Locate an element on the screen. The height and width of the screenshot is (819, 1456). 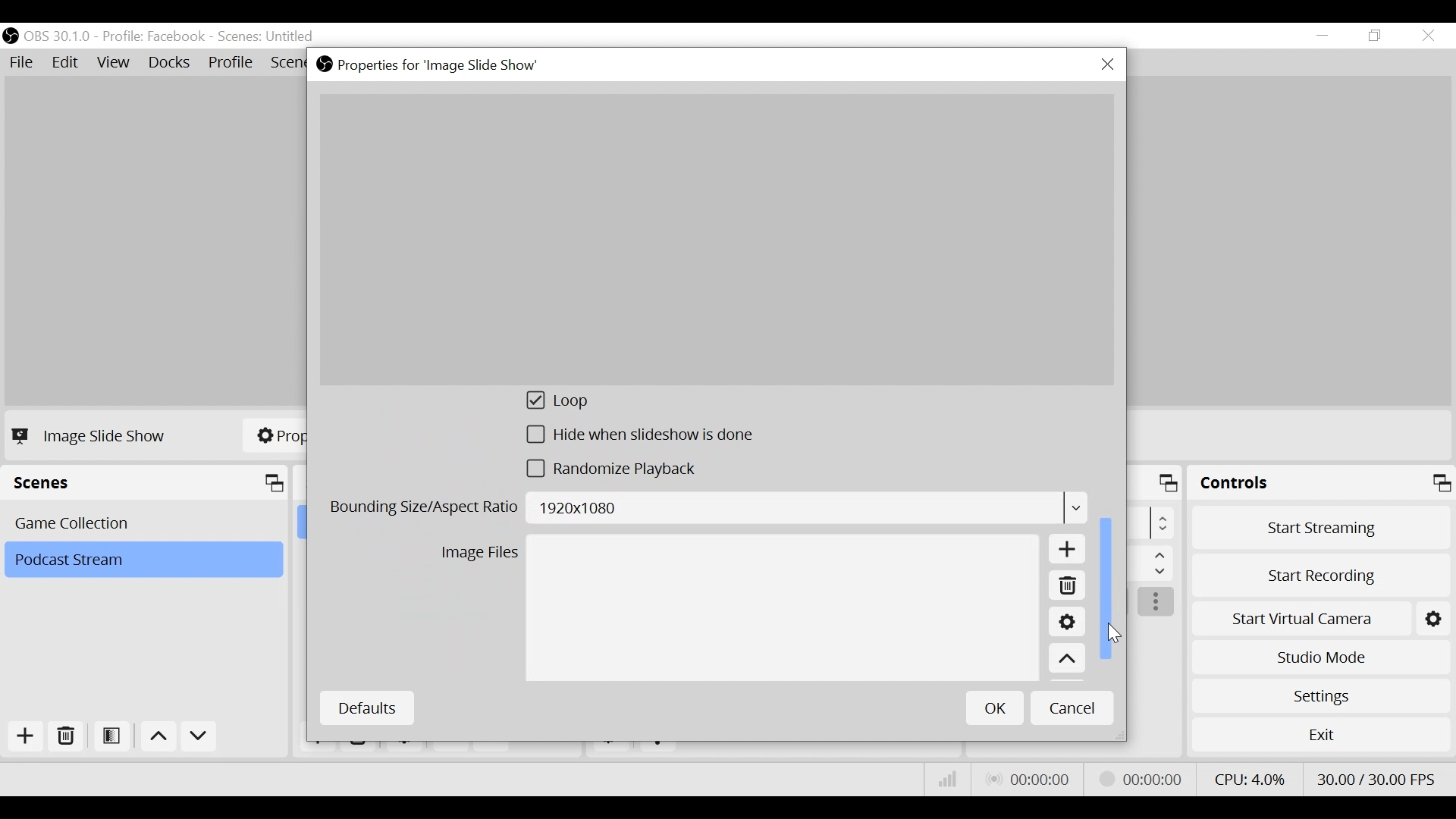
Edit is located at coordinates (67, 63).